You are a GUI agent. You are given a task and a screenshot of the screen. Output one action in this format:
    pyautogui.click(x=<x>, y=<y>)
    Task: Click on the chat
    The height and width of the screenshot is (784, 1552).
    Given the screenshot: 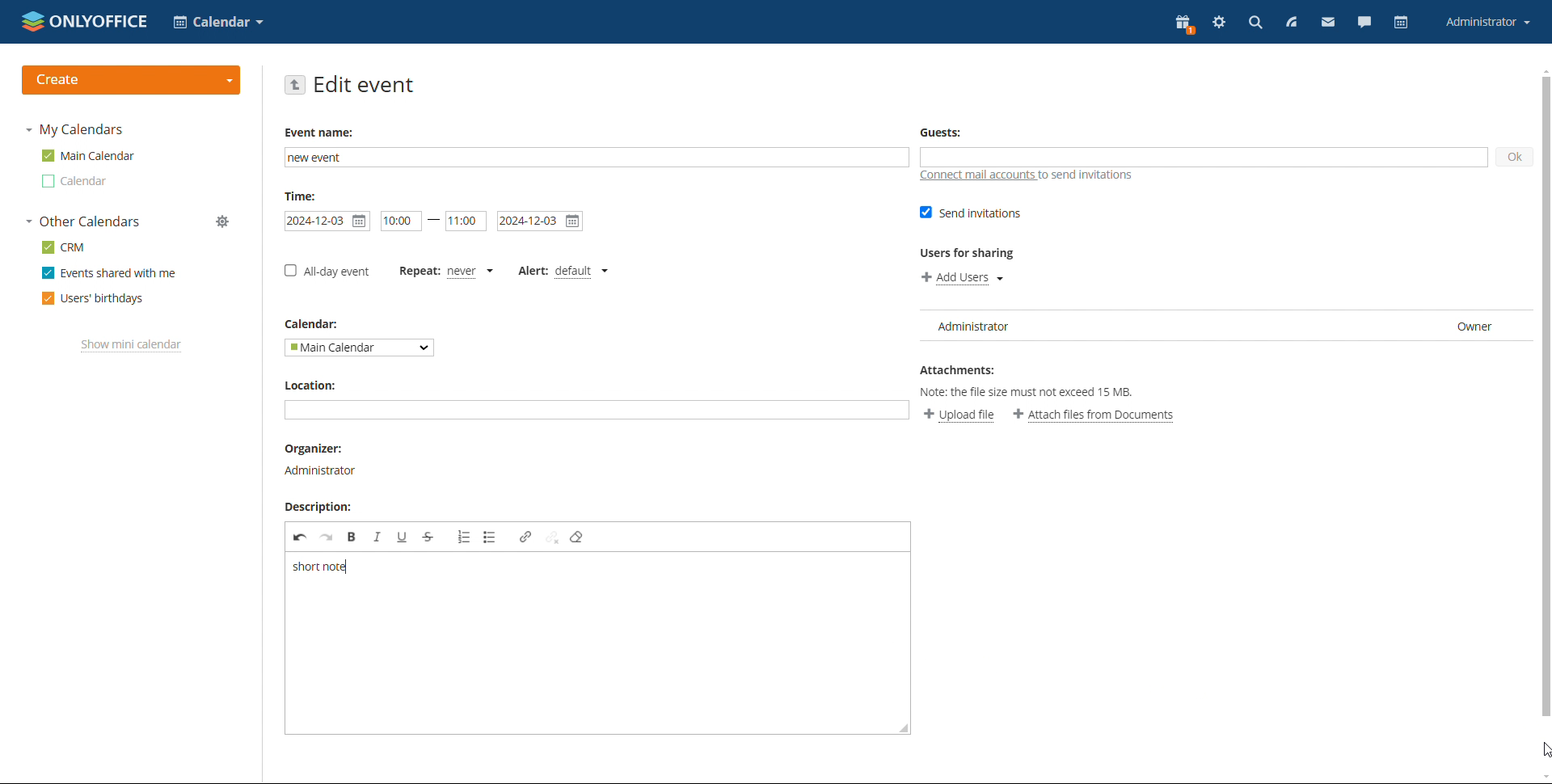 What is the action you would take?
    pyautogui.click(x=1364, y=22)
    